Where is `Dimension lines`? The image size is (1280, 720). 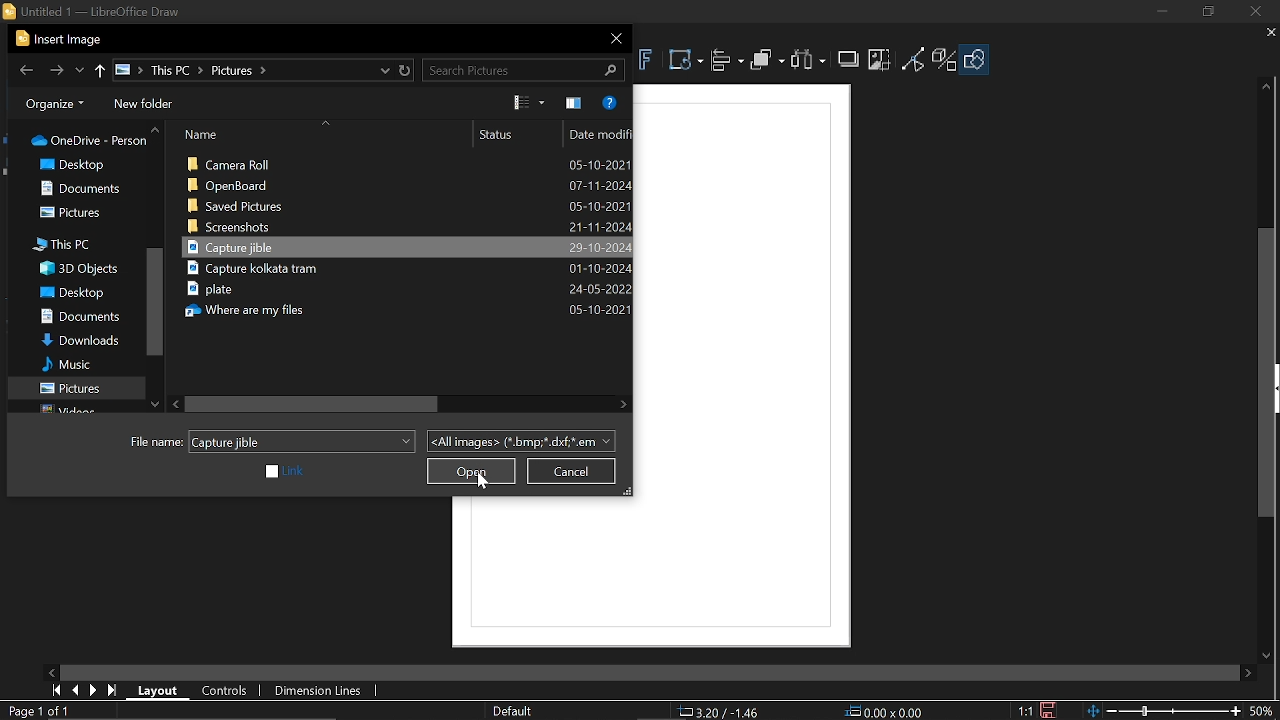
Dimension lines is located at coordinates (320, 691).